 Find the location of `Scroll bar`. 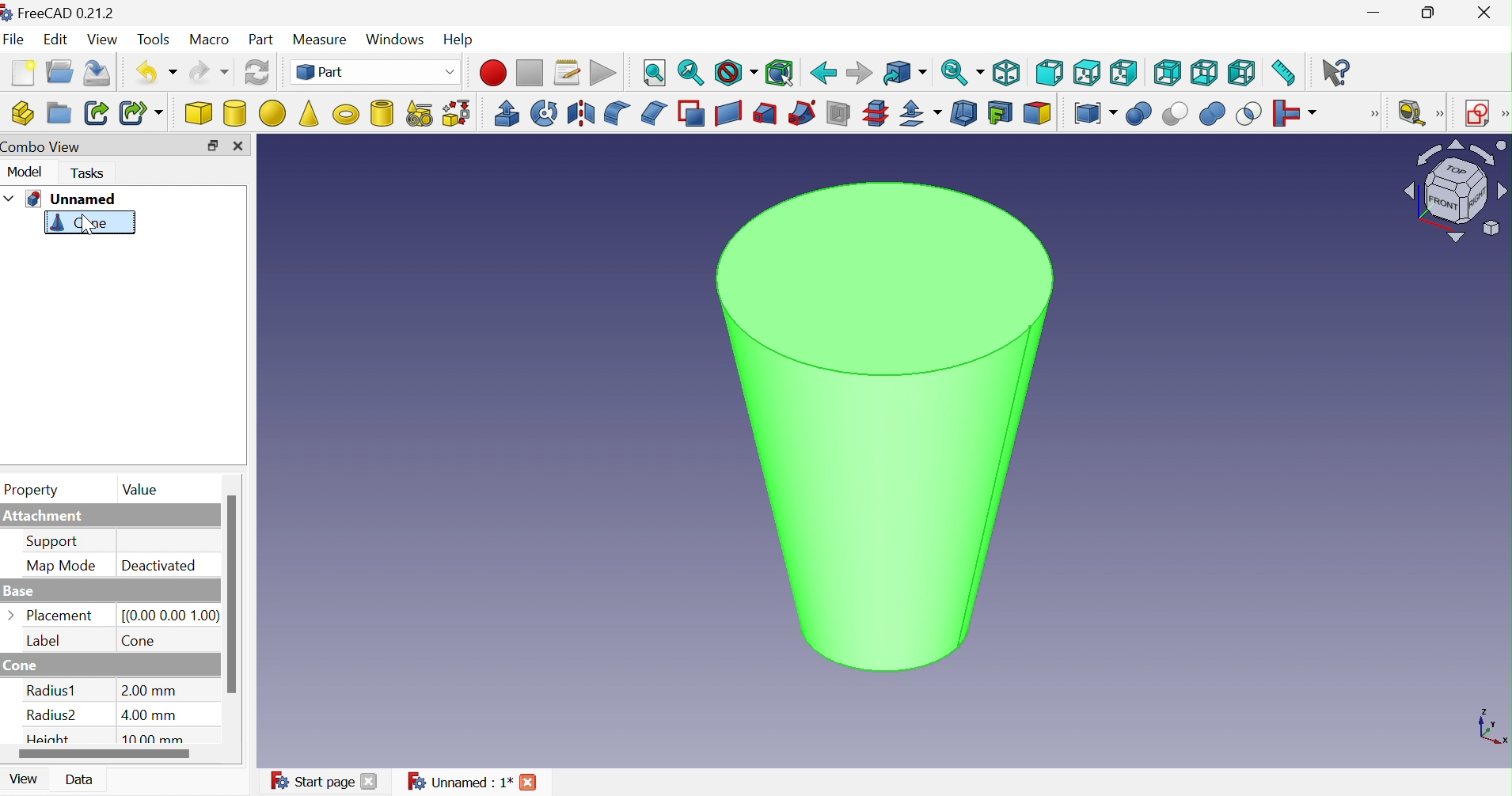

Scroll bar is located at coordinates (104, 755).